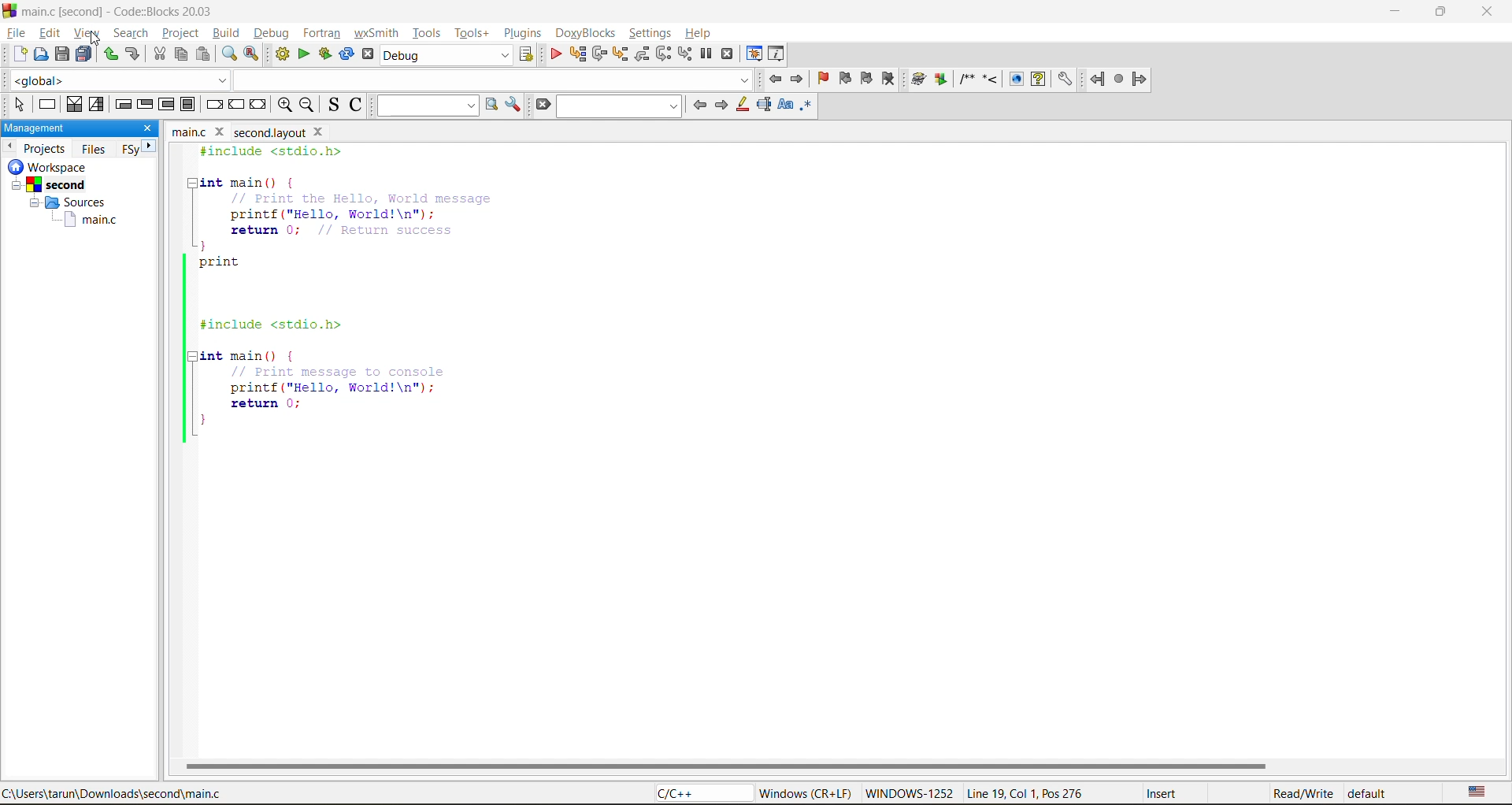 This screenshot has width=1512, height=805. What do you see at coordinates (47, 106) in the screenshot?
I see `instruction` at bounding box center [47, 106].